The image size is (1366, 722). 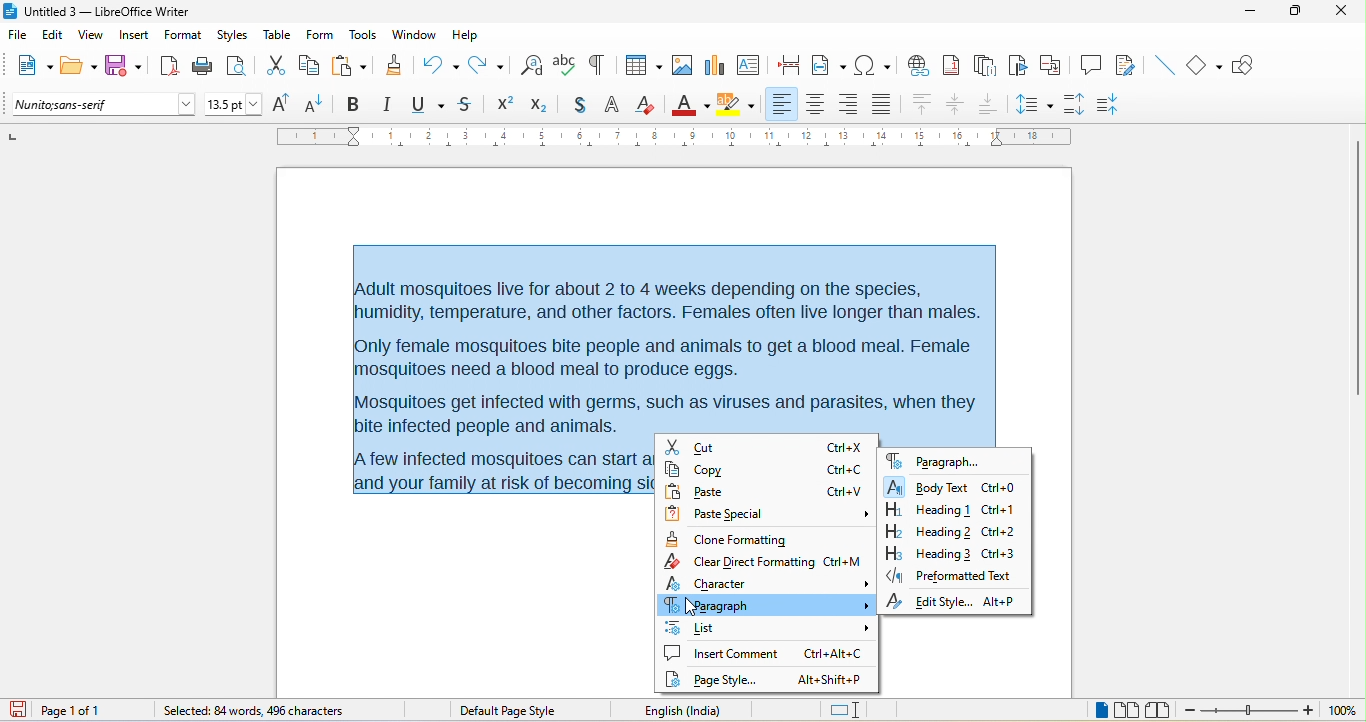 What do you see at coordinates (765, 604) in the screenshot?
I see `paragraph` at bounding box center [765, 604].